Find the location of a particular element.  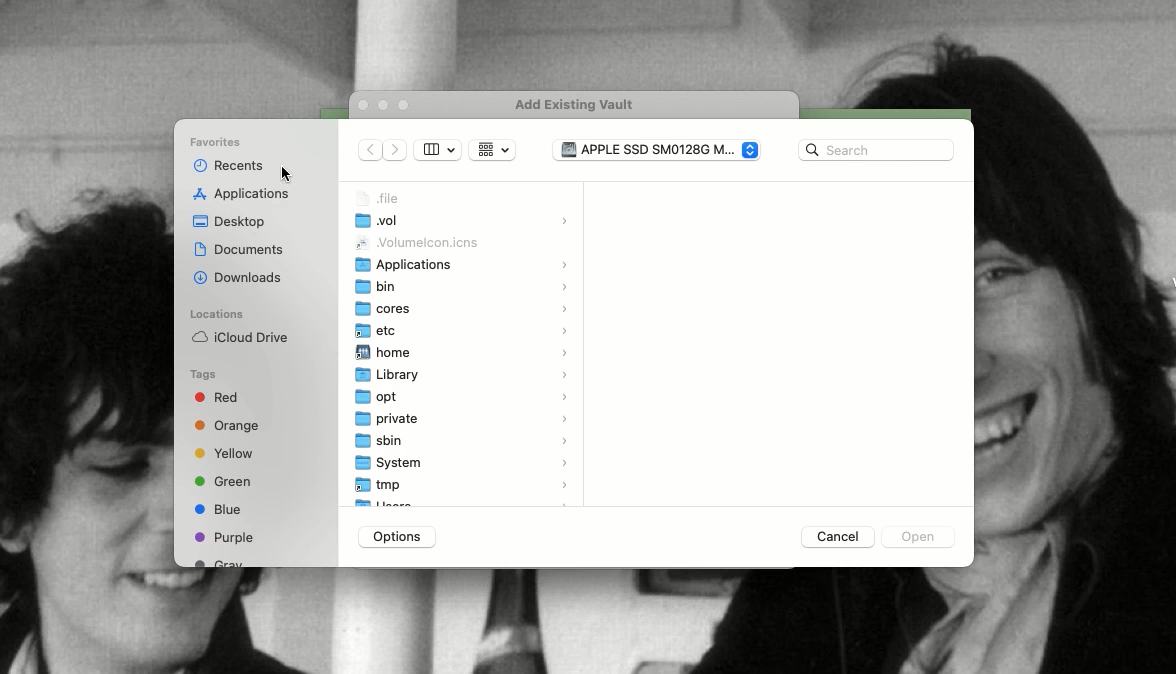

Applications is located at coordinates (462, 263).